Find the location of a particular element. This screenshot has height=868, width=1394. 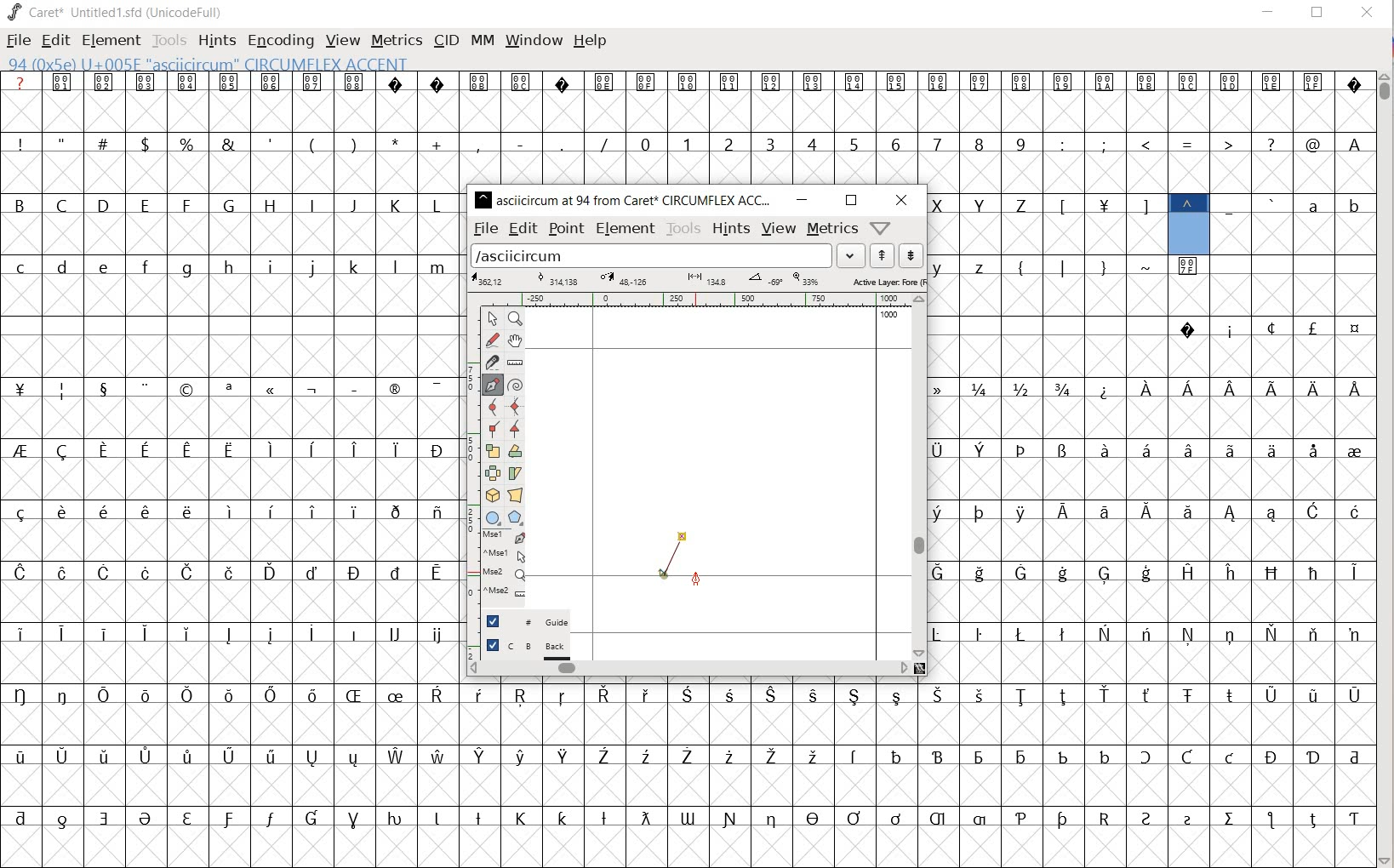

rotate the selection in 3D and project back to plane is located at coordinates (490, 494).